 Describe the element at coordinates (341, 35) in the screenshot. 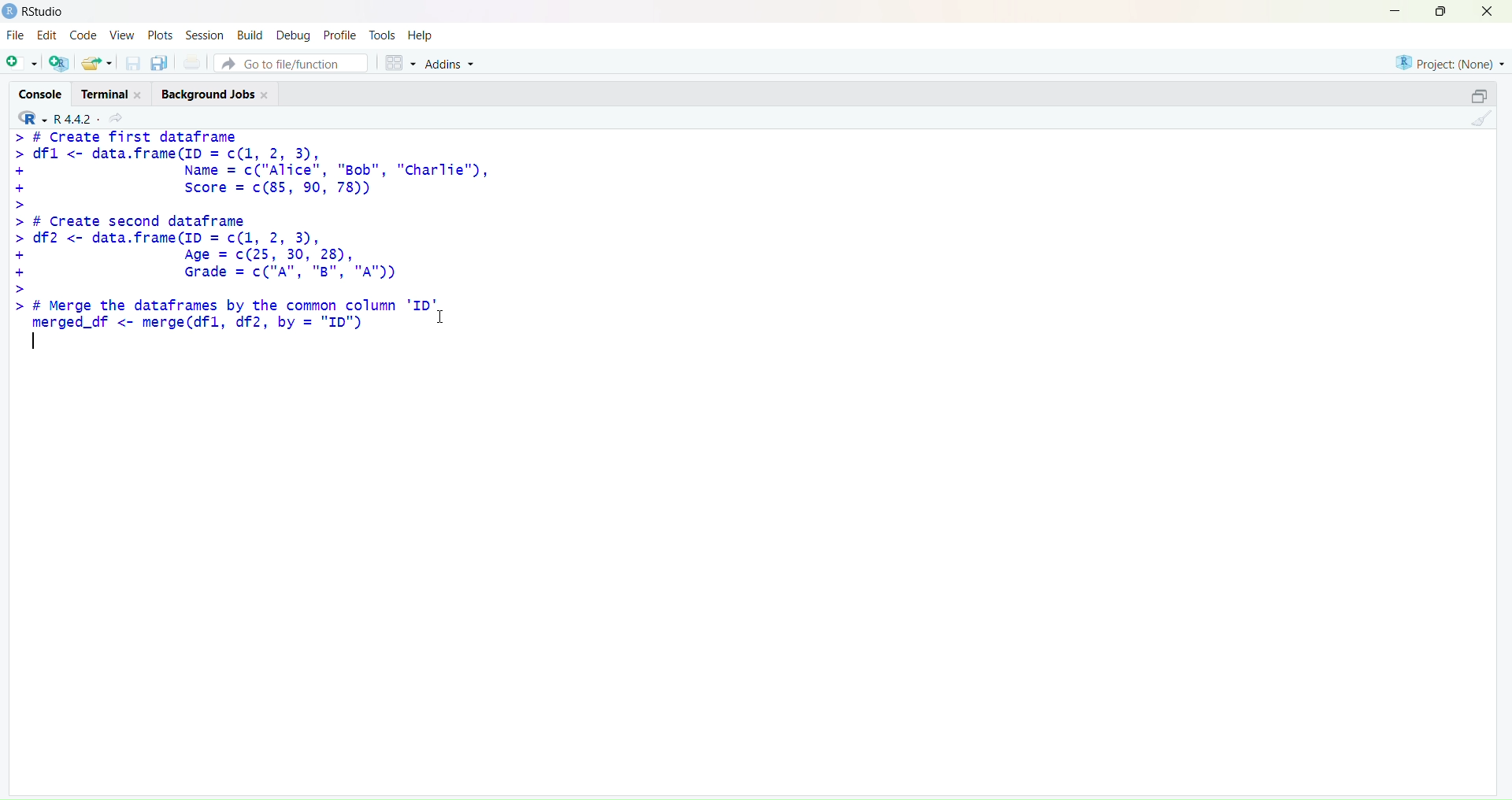

I see `Profile` at that location.